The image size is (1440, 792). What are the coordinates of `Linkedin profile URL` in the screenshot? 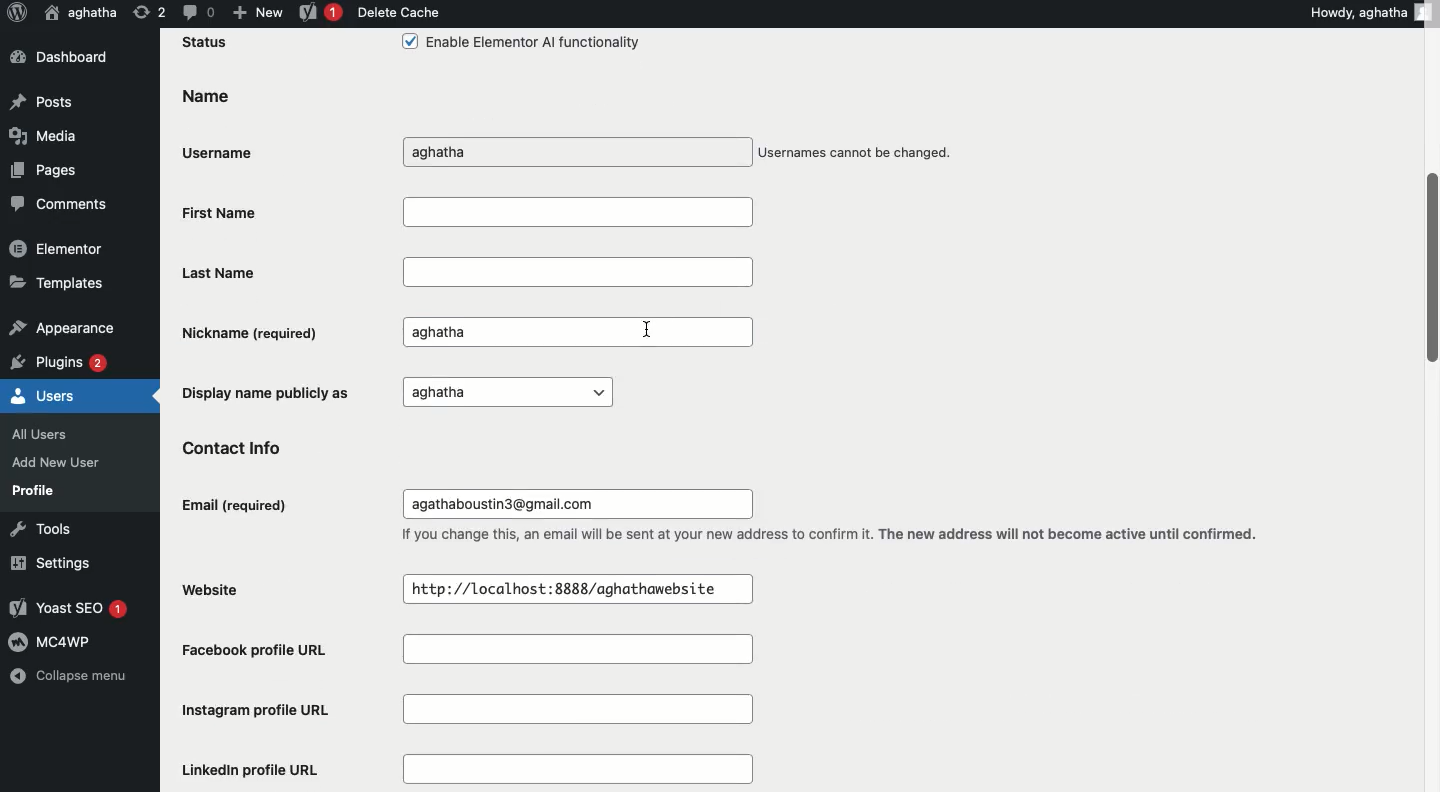 It's located at (466, 769).